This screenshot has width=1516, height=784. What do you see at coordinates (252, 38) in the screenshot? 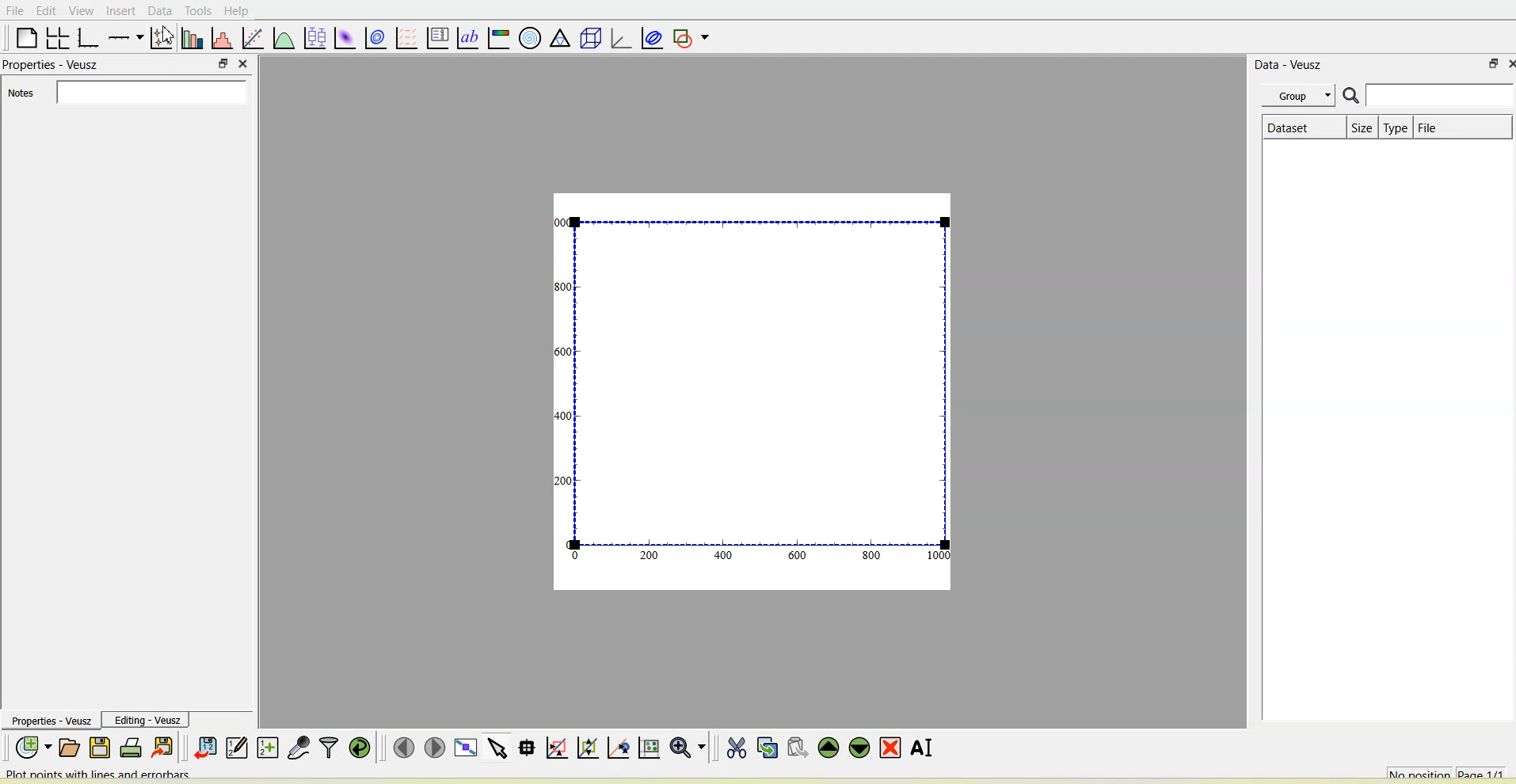
I see `fit a function to data` at bounding box center [252, 38].